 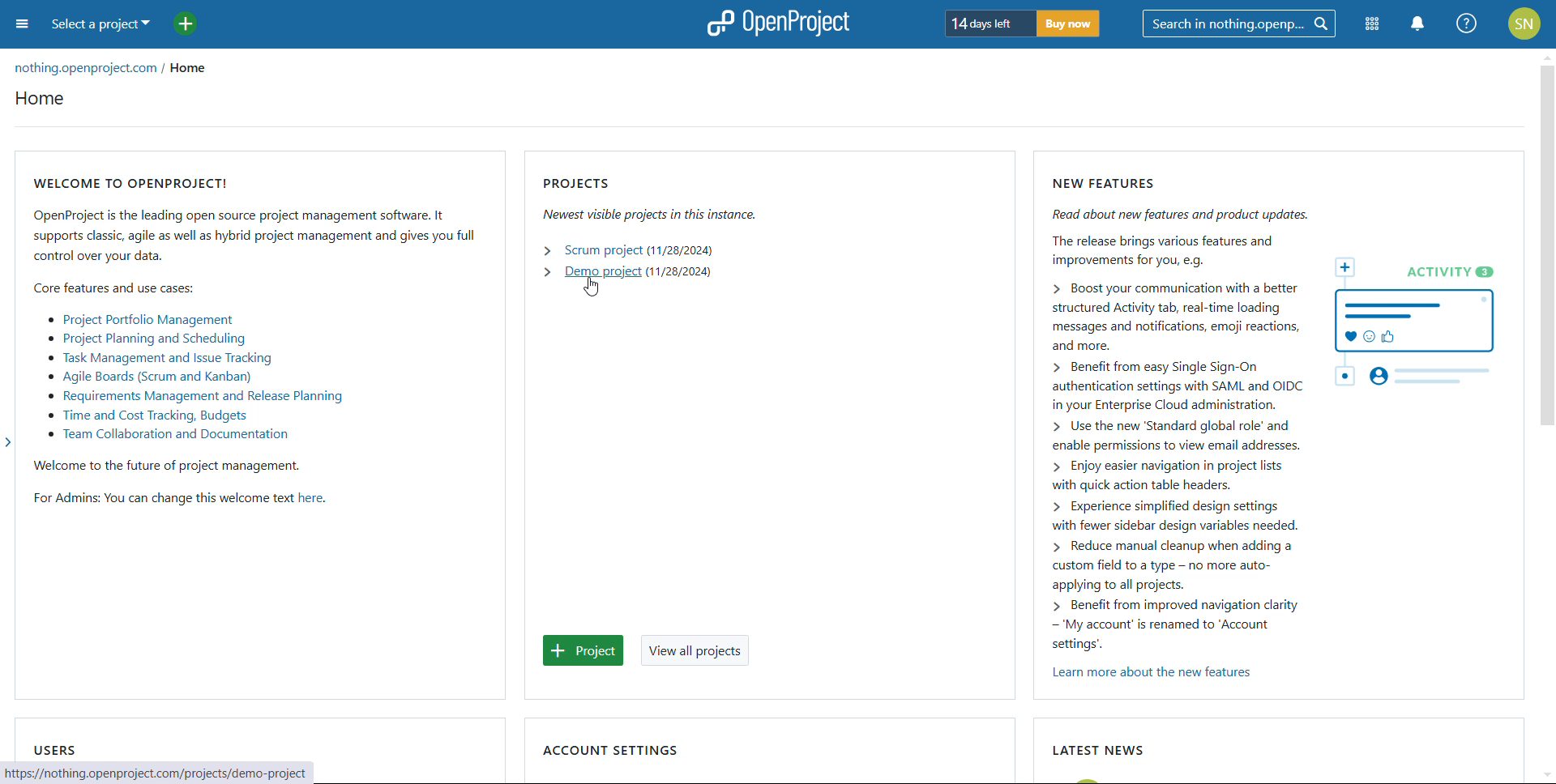 I want to click on account, so click(x=1524, y=23).